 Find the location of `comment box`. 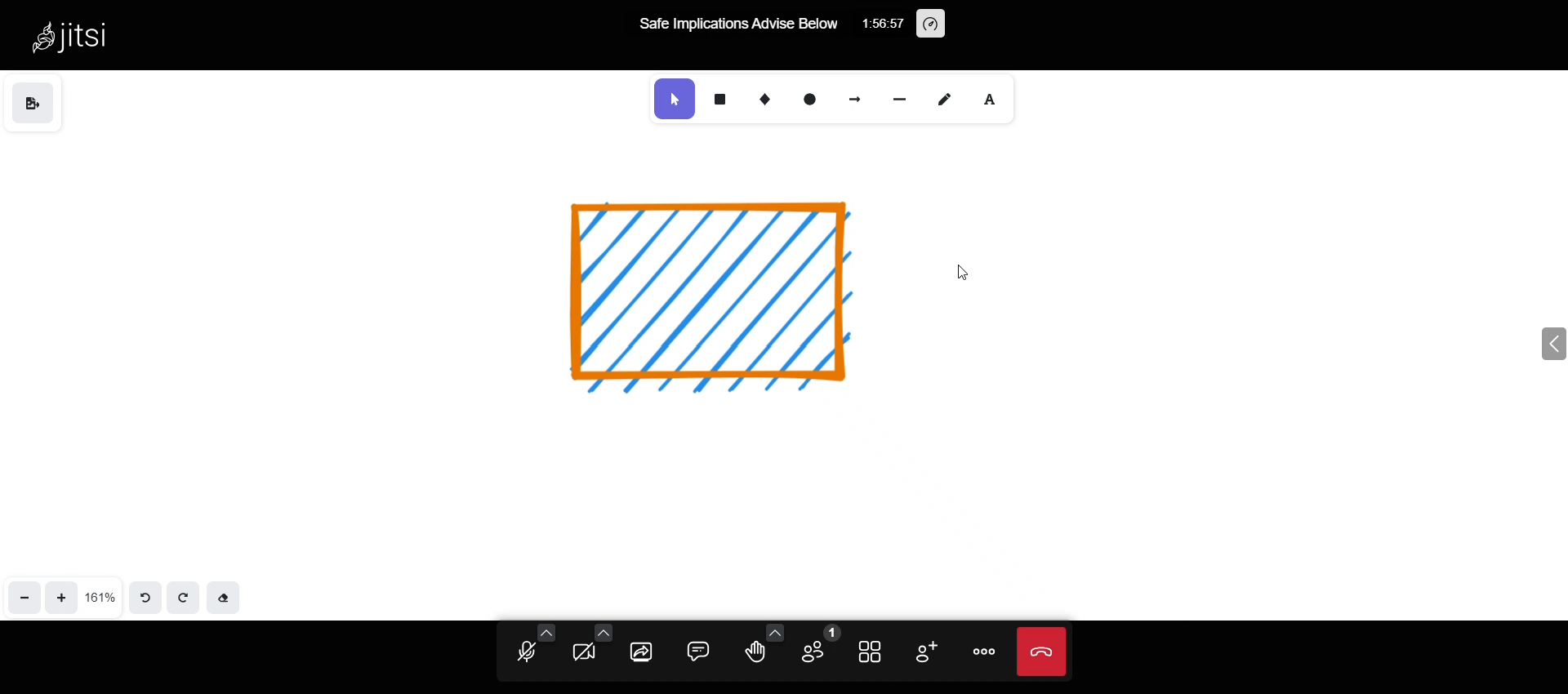

comment box is located at coordinates (697, 647).